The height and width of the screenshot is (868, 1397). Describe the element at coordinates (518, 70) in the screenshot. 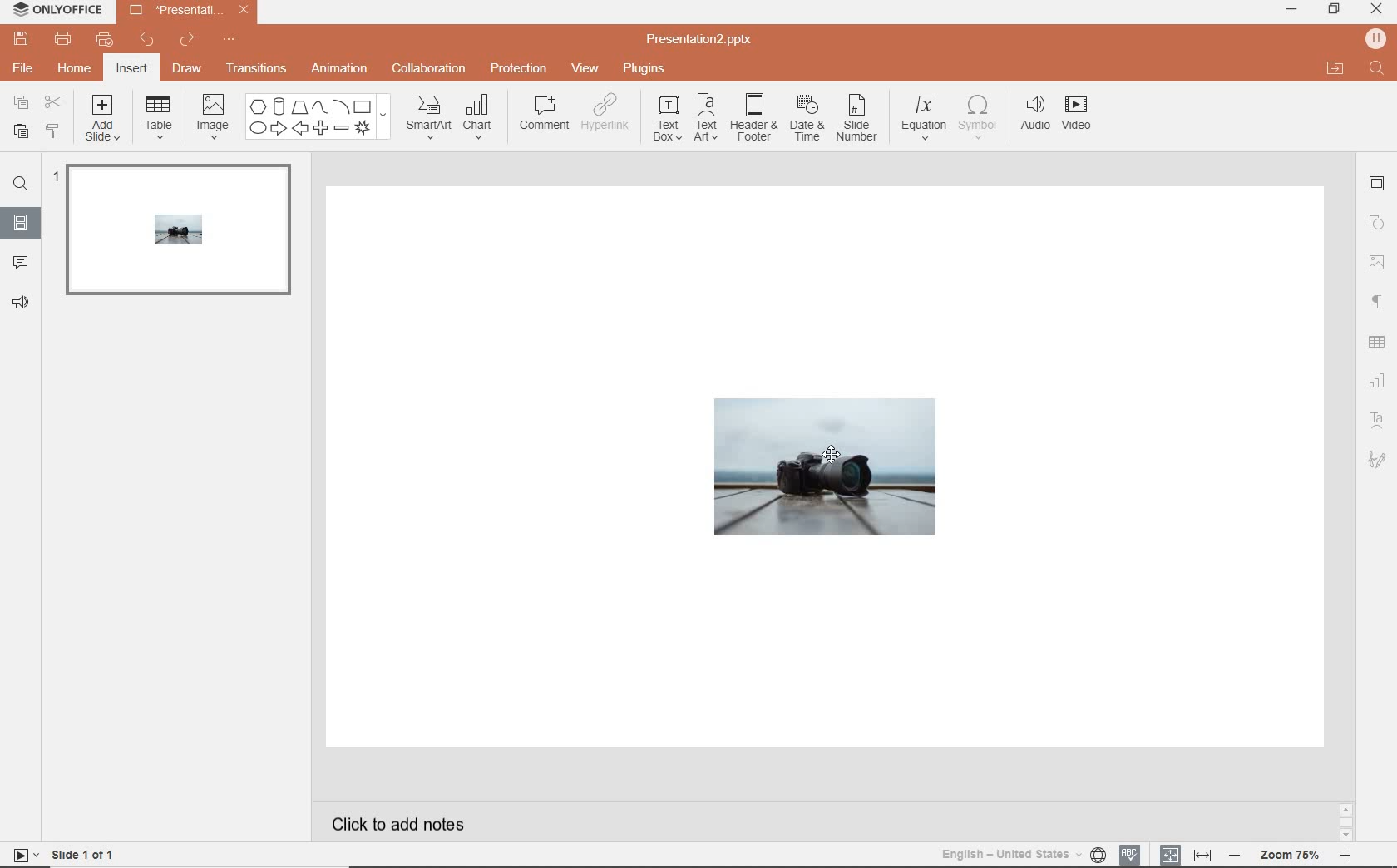

I see `protection` at that location.